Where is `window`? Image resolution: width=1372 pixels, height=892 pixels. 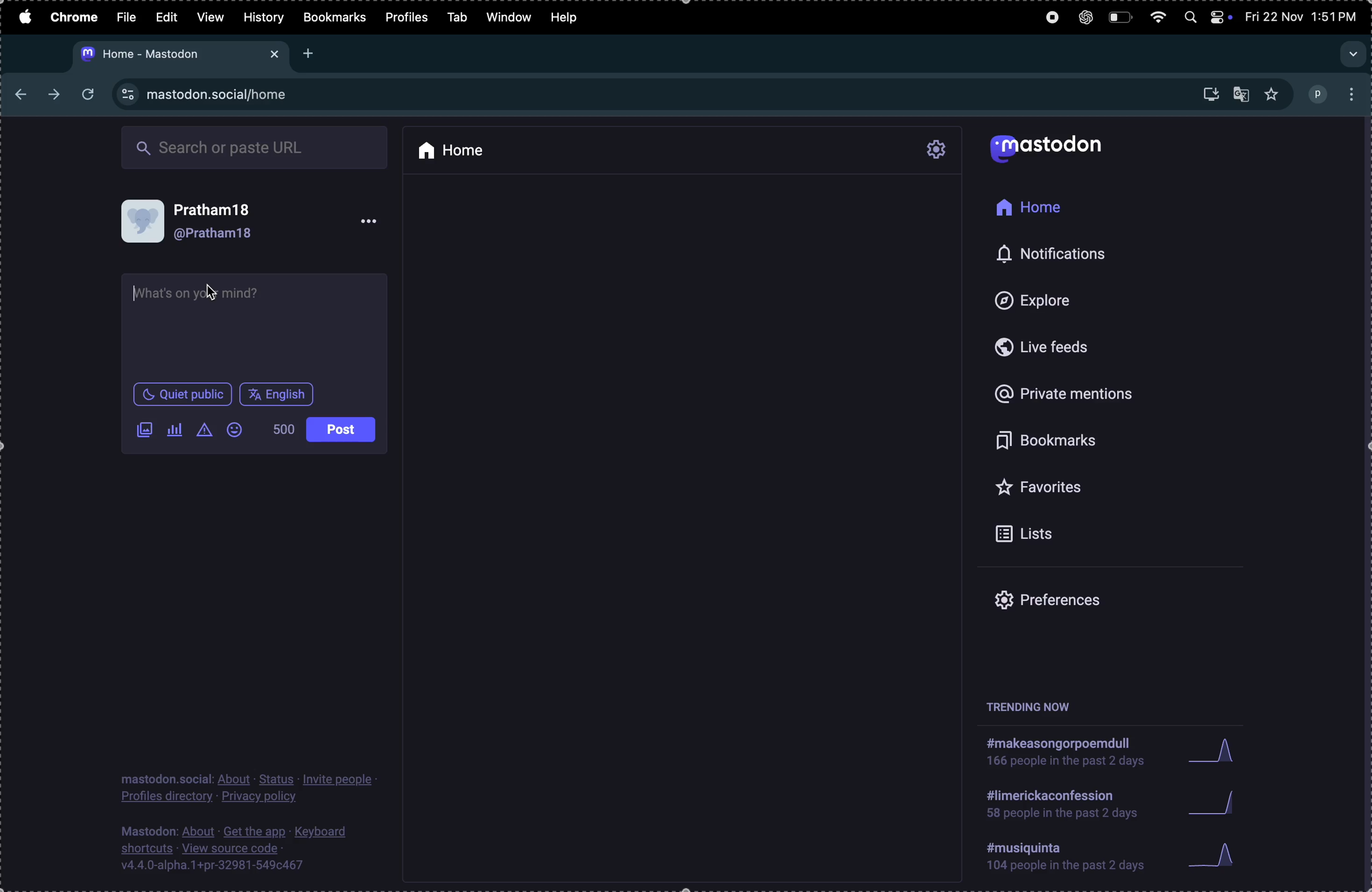 window is located at coordinates (510, 18).